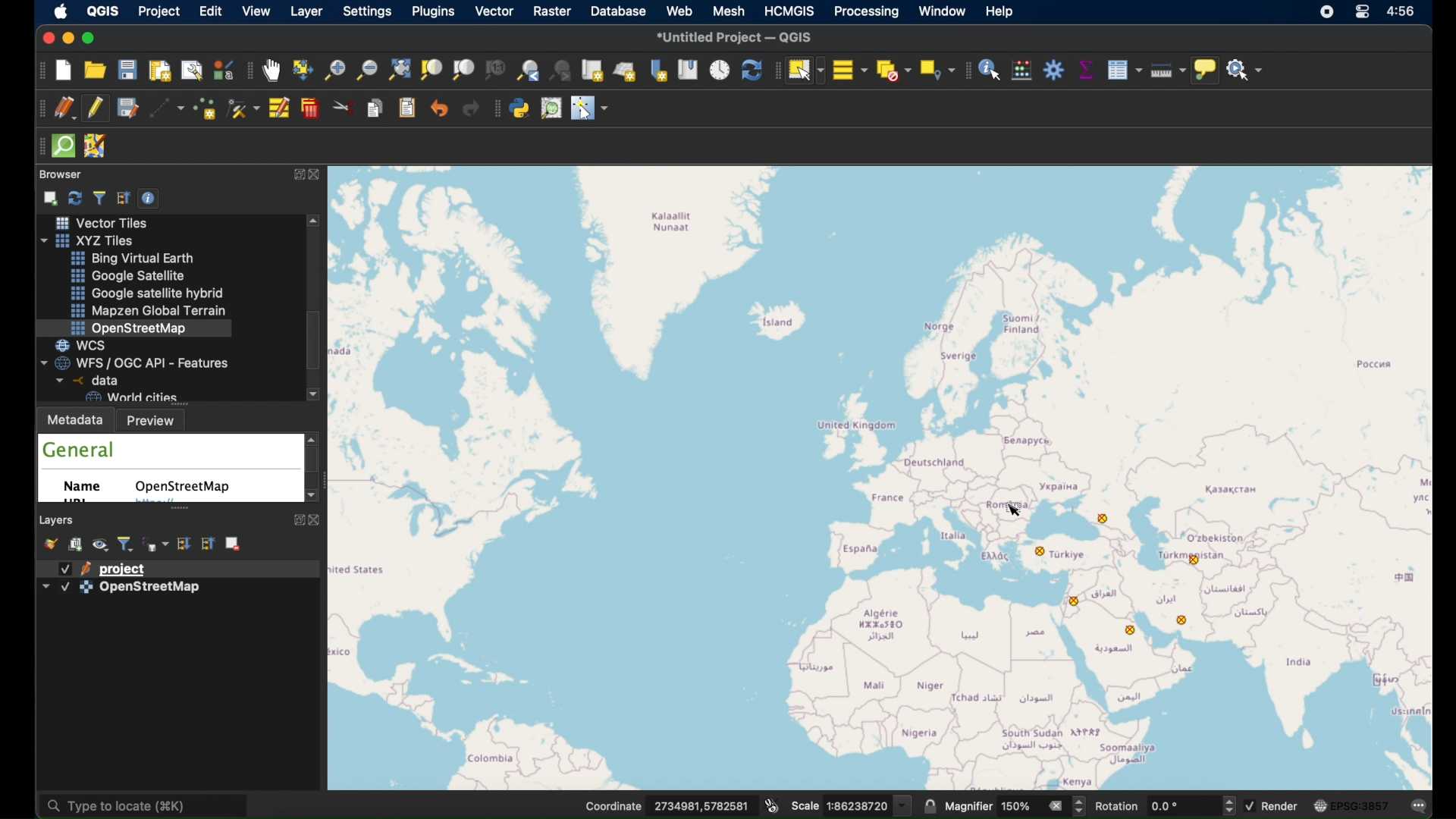 The image size is (1456, 819). What do you see at coordinates (366, 69) in the screenshot?
I see `zoom out` at bounding box center [366, 69].